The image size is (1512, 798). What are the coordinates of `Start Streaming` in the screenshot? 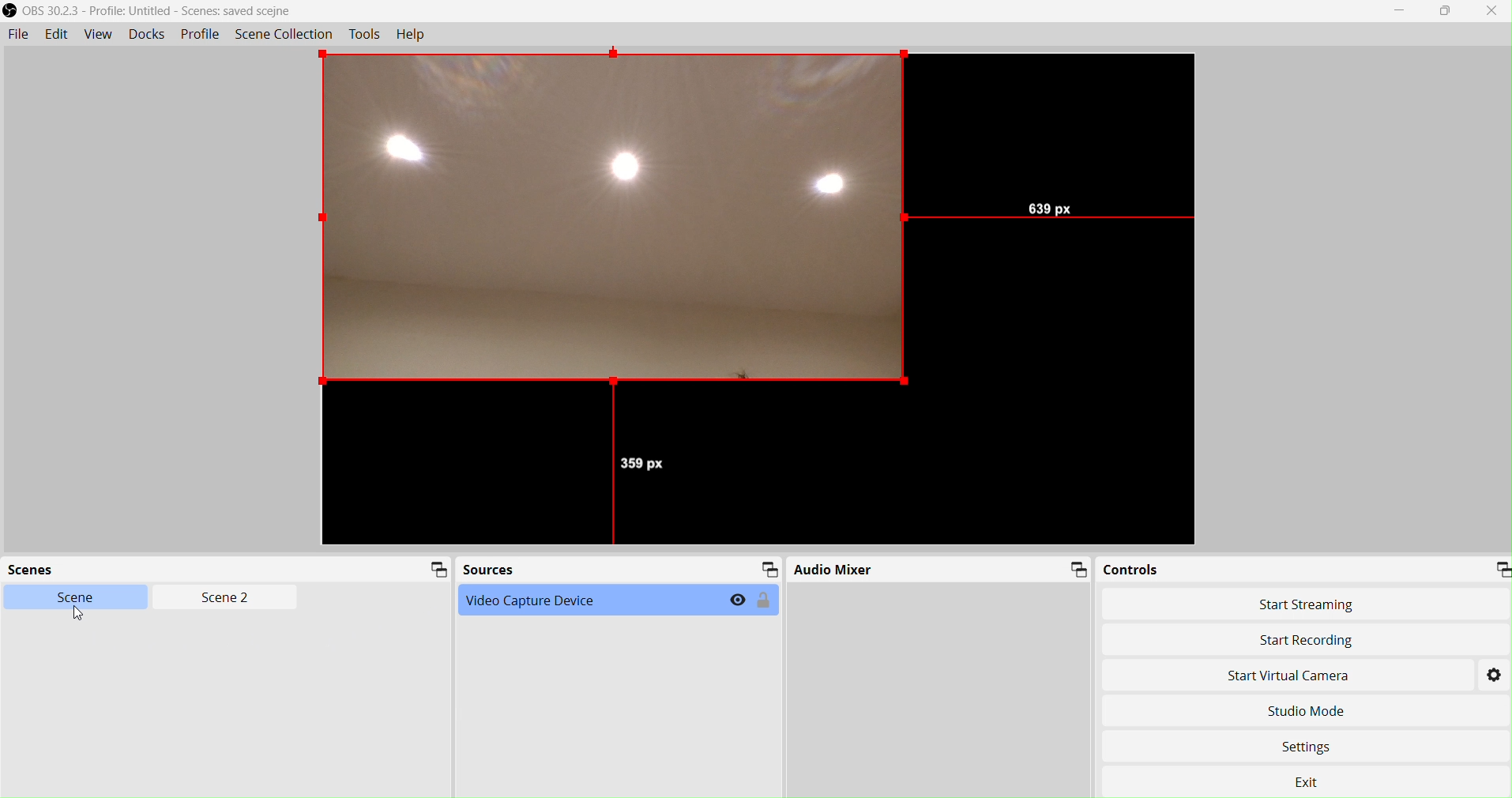 It's located at (1307, 604).